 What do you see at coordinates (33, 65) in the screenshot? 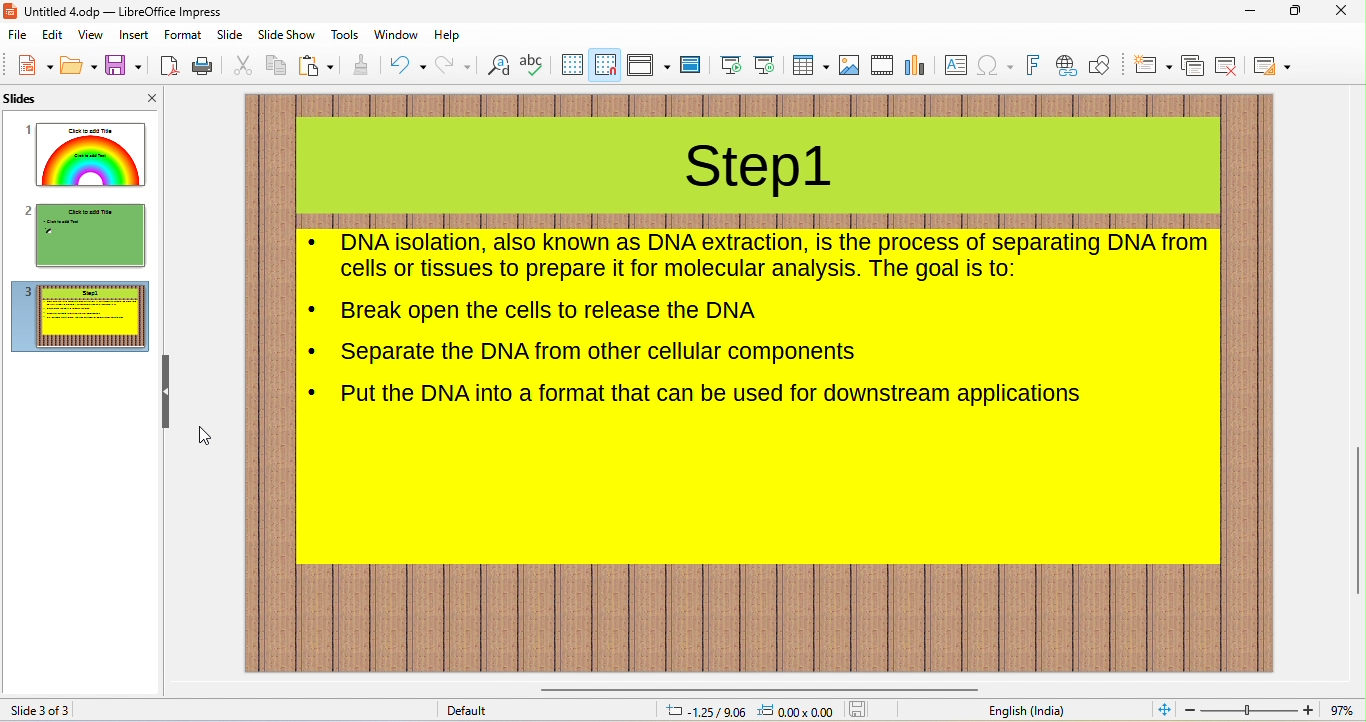
I see `new` at bounding box center [33, 65].